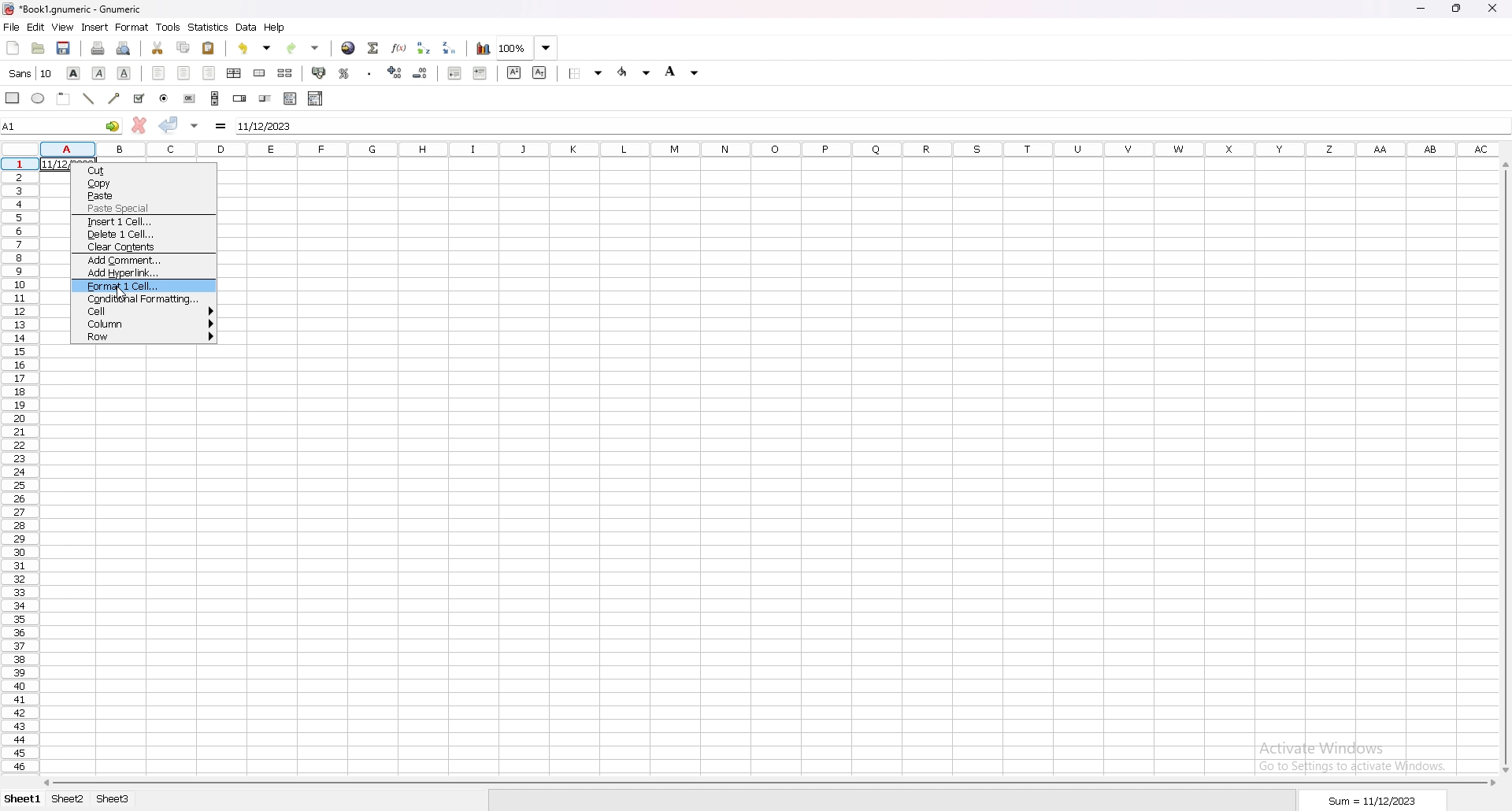 The height and width of the screenshot is (811, 1512). I want to click on radio button, so click(165, 98).